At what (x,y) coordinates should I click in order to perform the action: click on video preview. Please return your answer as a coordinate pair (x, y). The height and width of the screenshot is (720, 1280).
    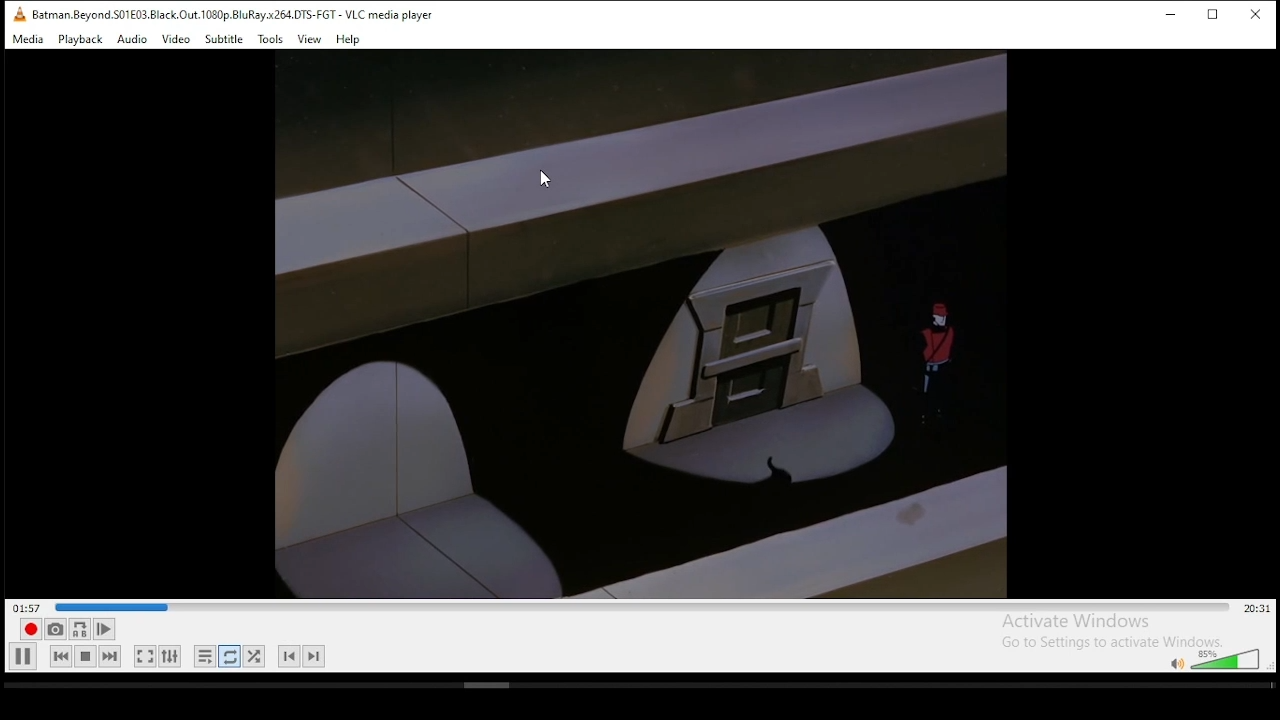
    Looking at the image, I should click on (639, 321).